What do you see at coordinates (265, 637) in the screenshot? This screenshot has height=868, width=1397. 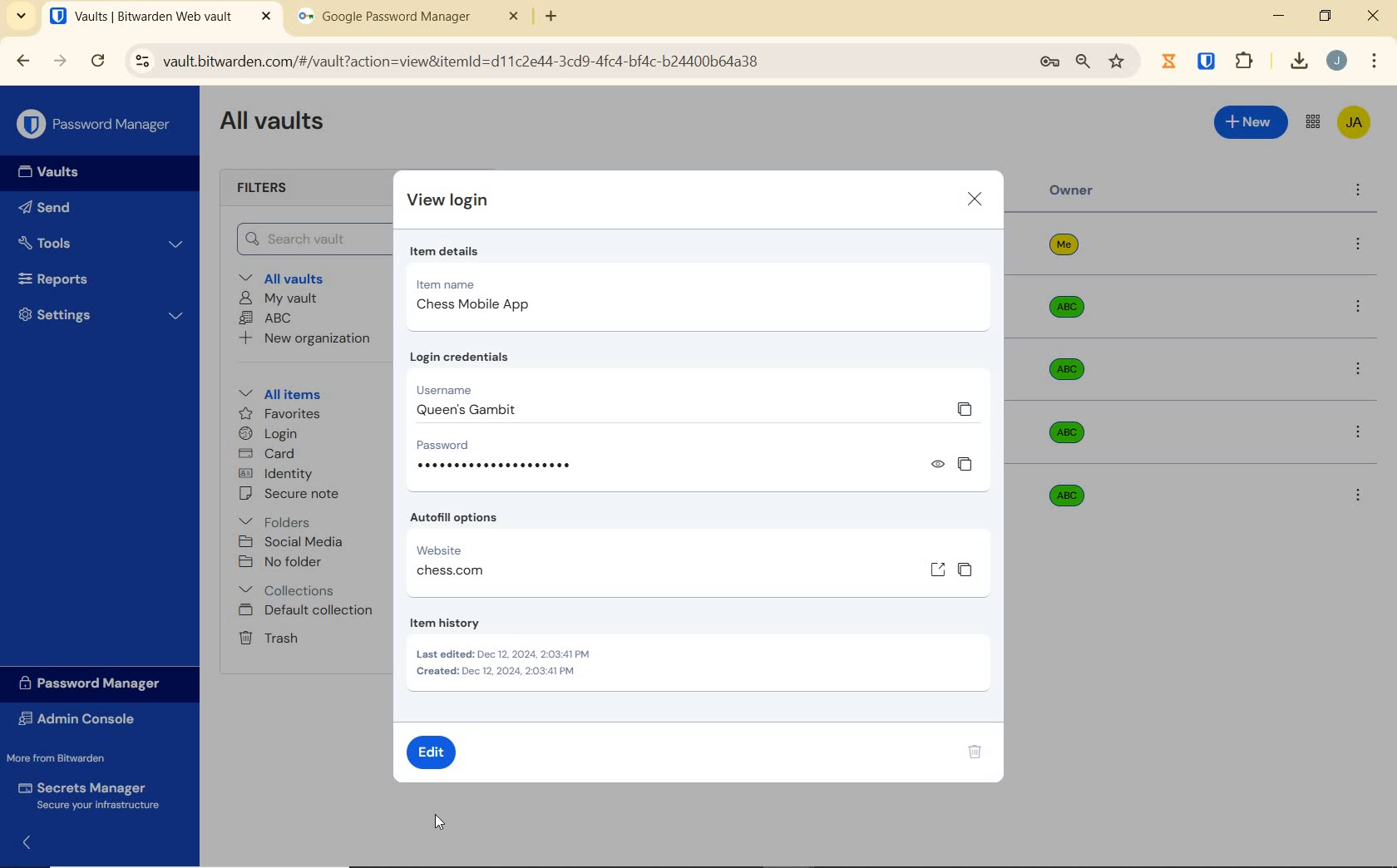 I see `Trash` at bounding box center [265, 637].